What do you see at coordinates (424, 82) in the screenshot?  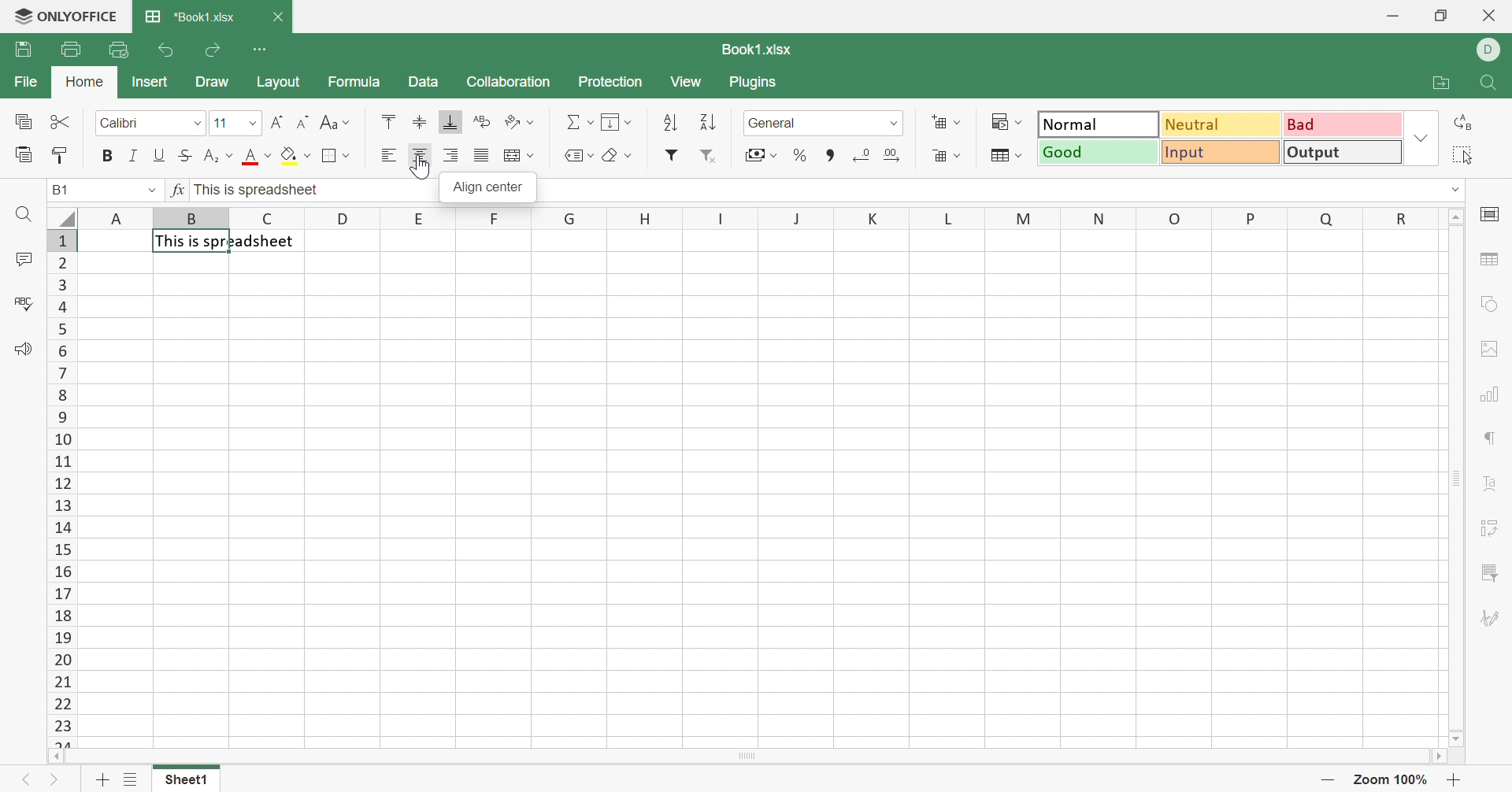 I see `Data` at bounding box center [424, 82].